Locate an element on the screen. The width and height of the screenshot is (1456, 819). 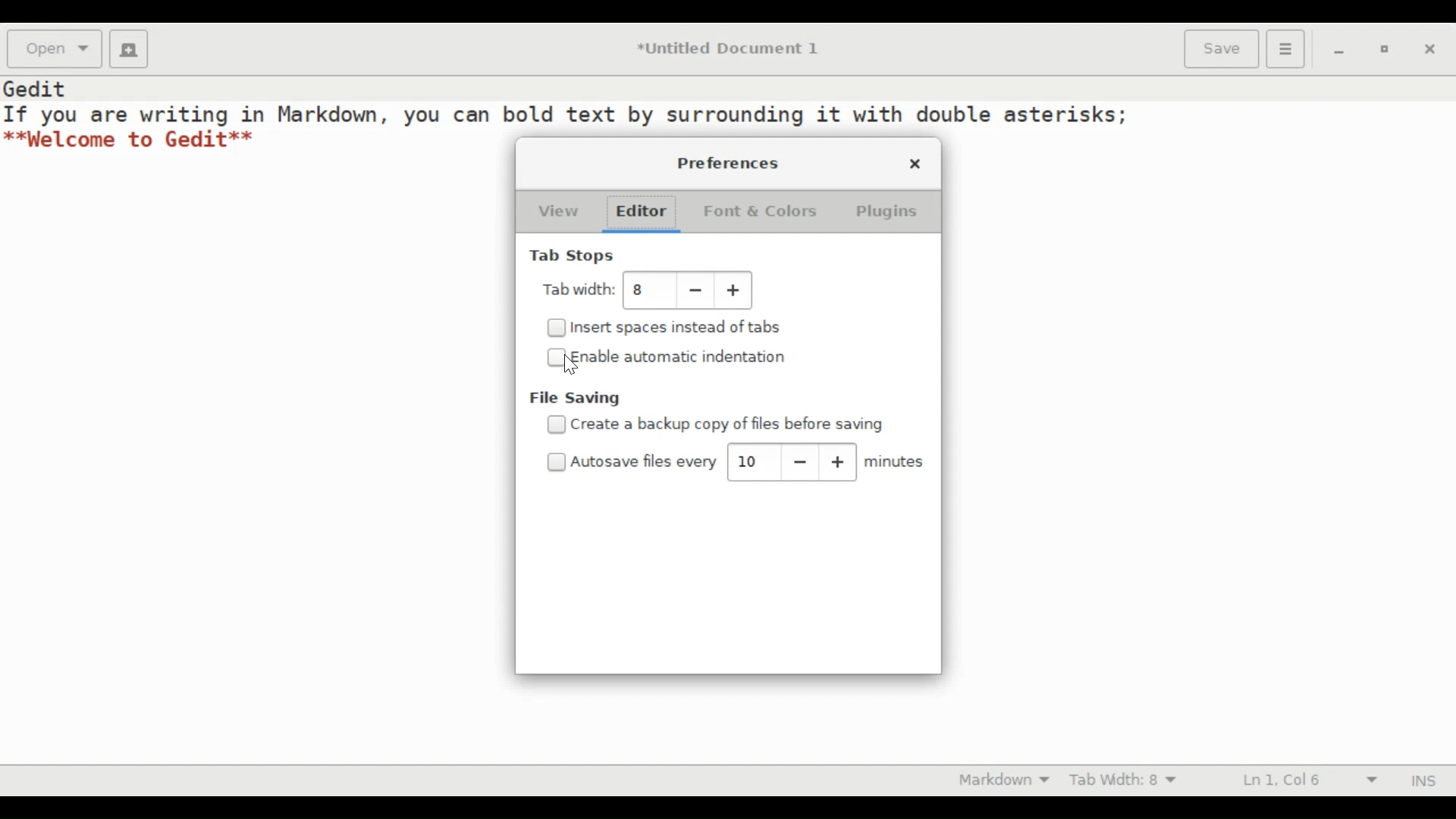
Tab Stops is located at coordinates (577, 254).